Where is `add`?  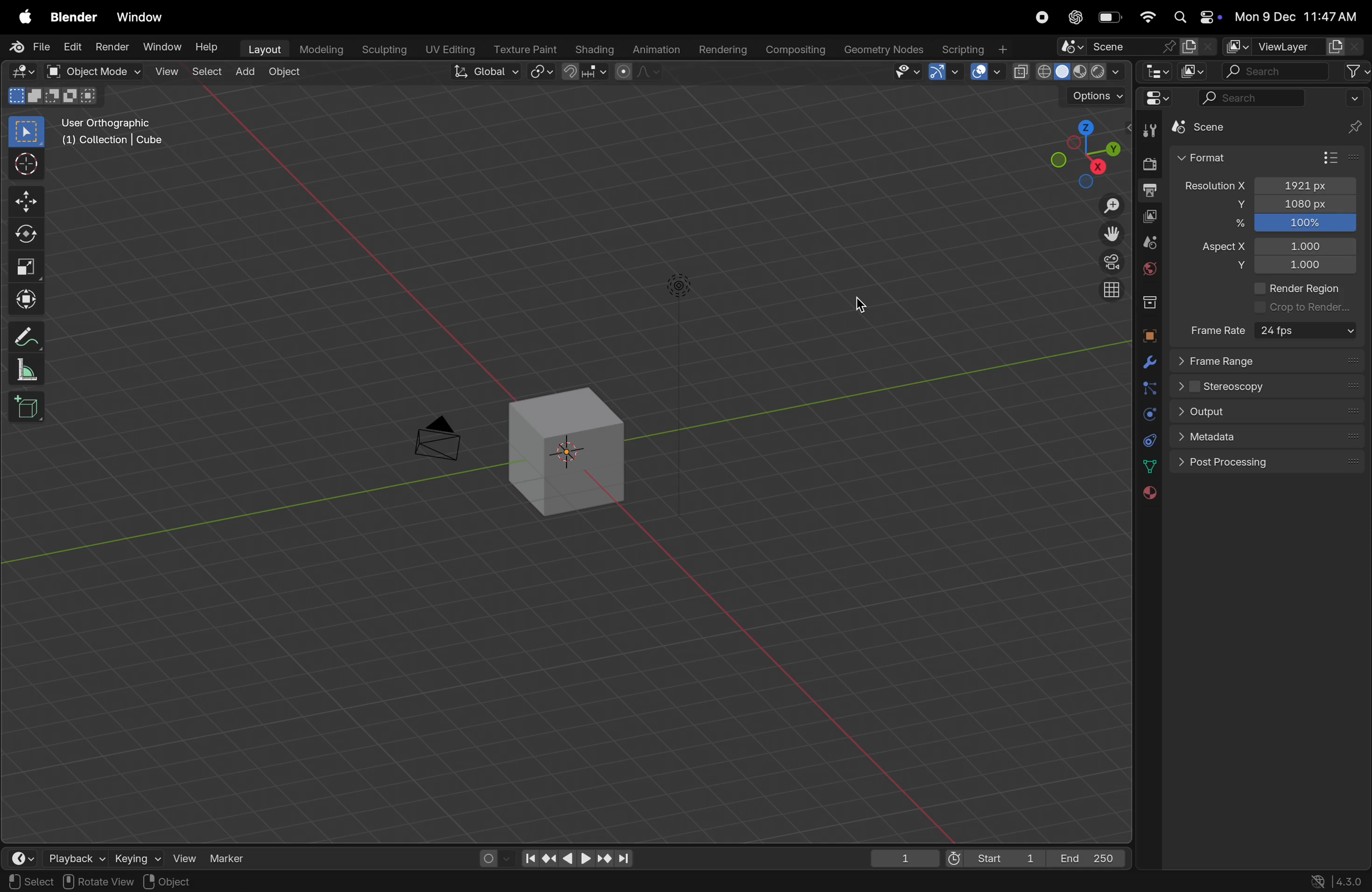
add is located at coordinates (244, 73).